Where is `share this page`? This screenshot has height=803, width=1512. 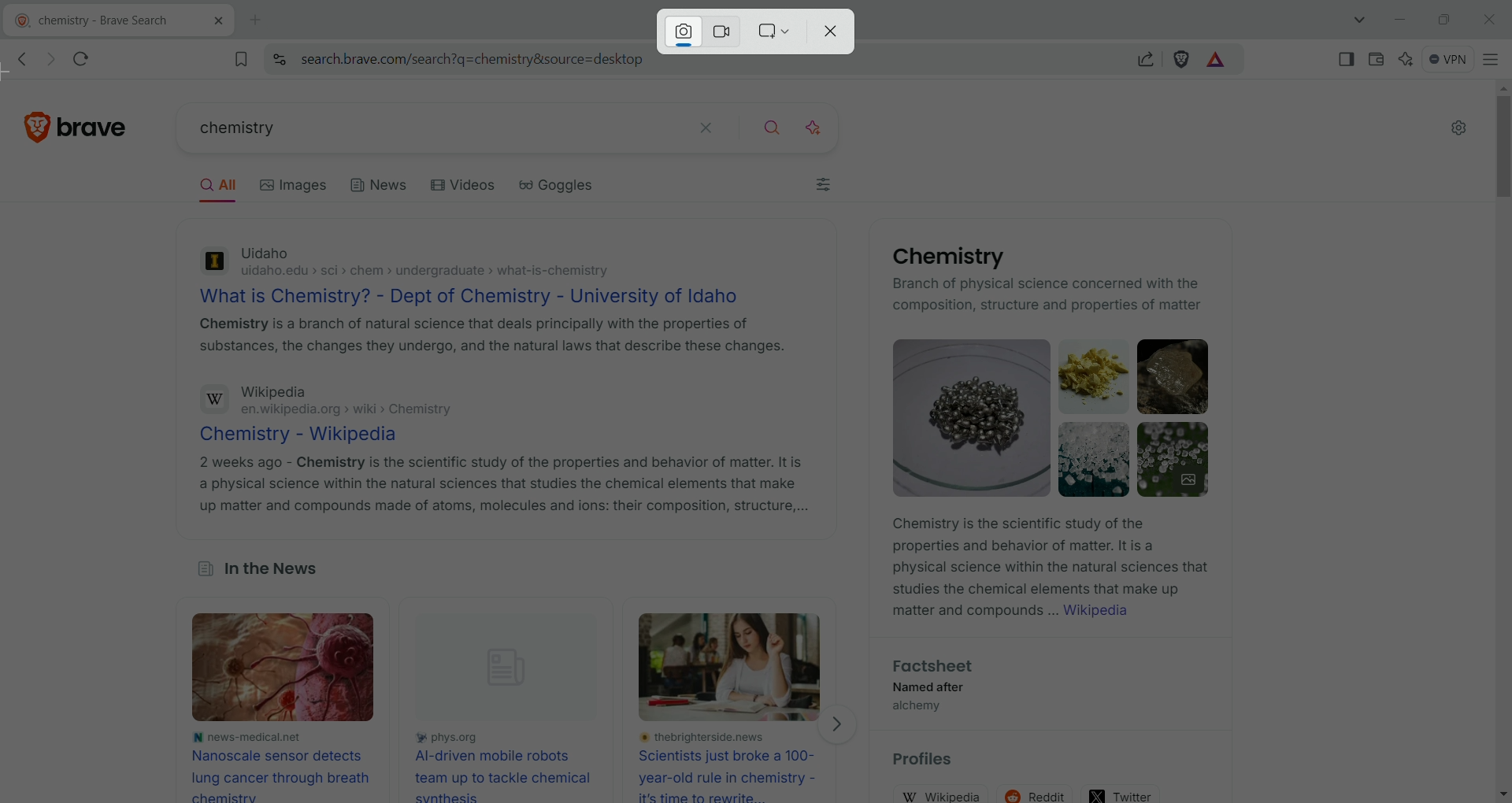 share this page is located at coordinates (1146, 58).